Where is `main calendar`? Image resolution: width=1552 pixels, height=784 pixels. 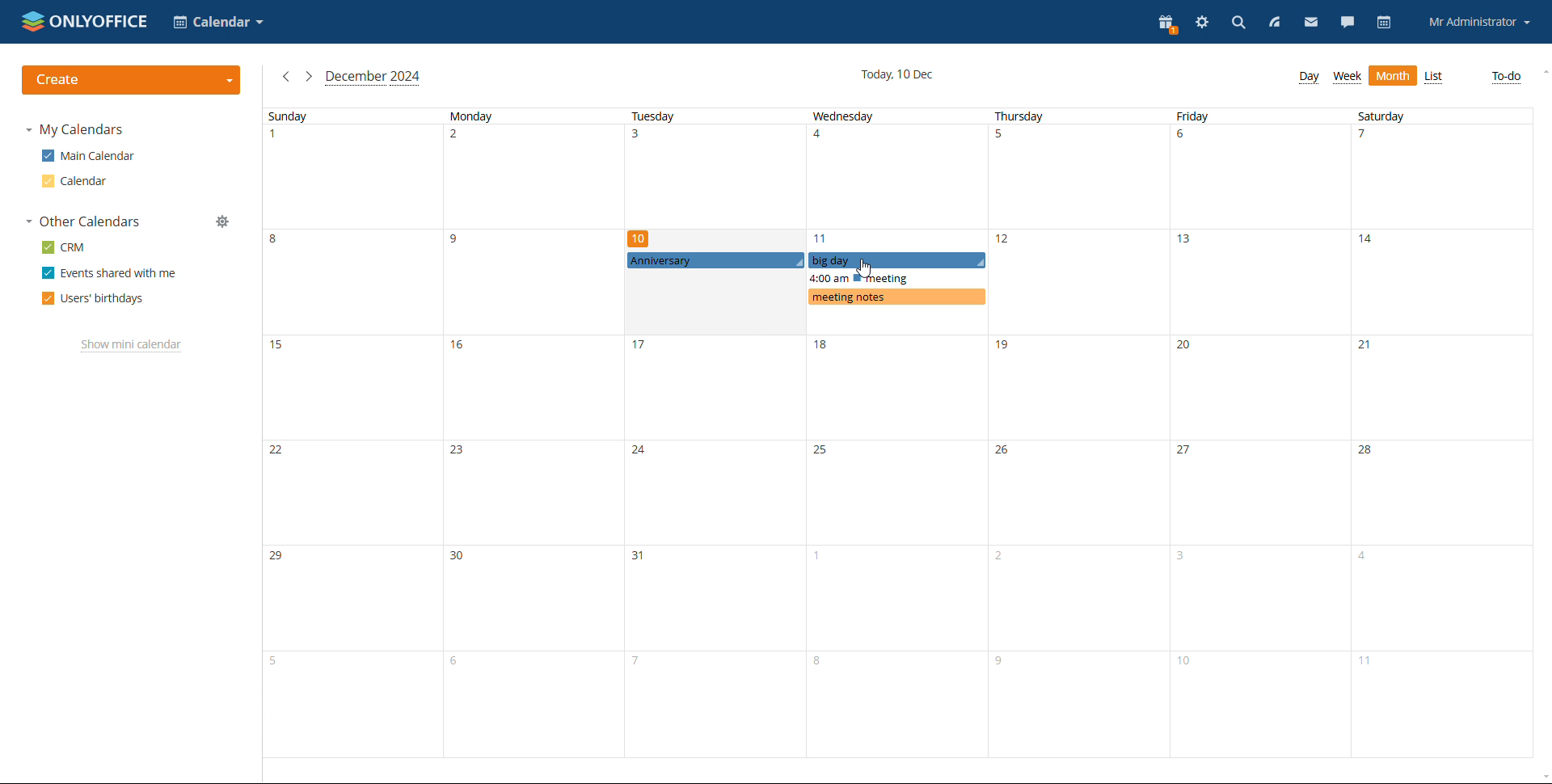
main calendar is located at coordinates (91, 155).